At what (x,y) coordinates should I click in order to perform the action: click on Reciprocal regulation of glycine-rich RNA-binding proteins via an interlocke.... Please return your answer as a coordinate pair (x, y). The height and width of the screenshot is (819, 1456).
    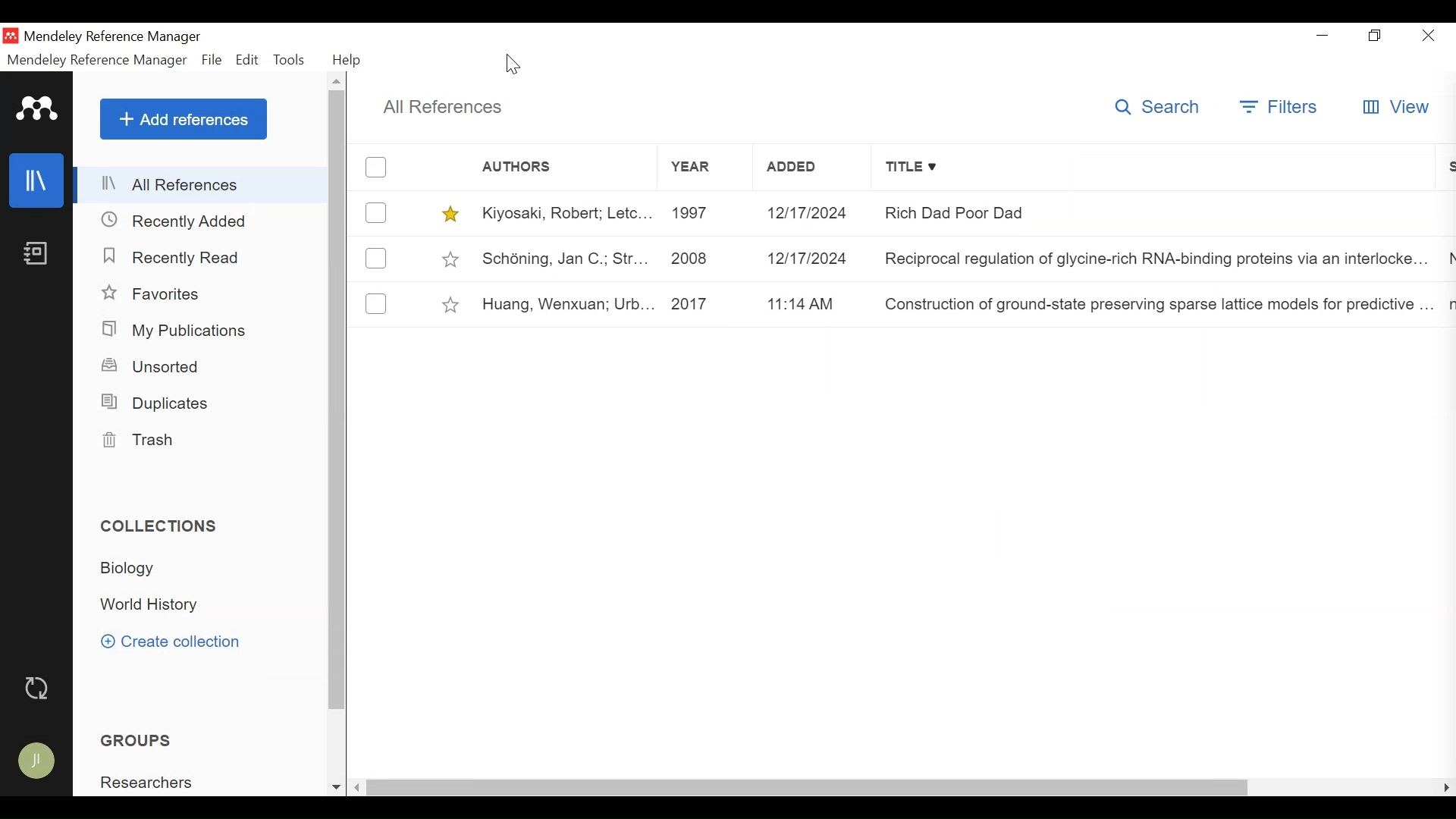
    Looking at the image, I should click on (1153, 259).